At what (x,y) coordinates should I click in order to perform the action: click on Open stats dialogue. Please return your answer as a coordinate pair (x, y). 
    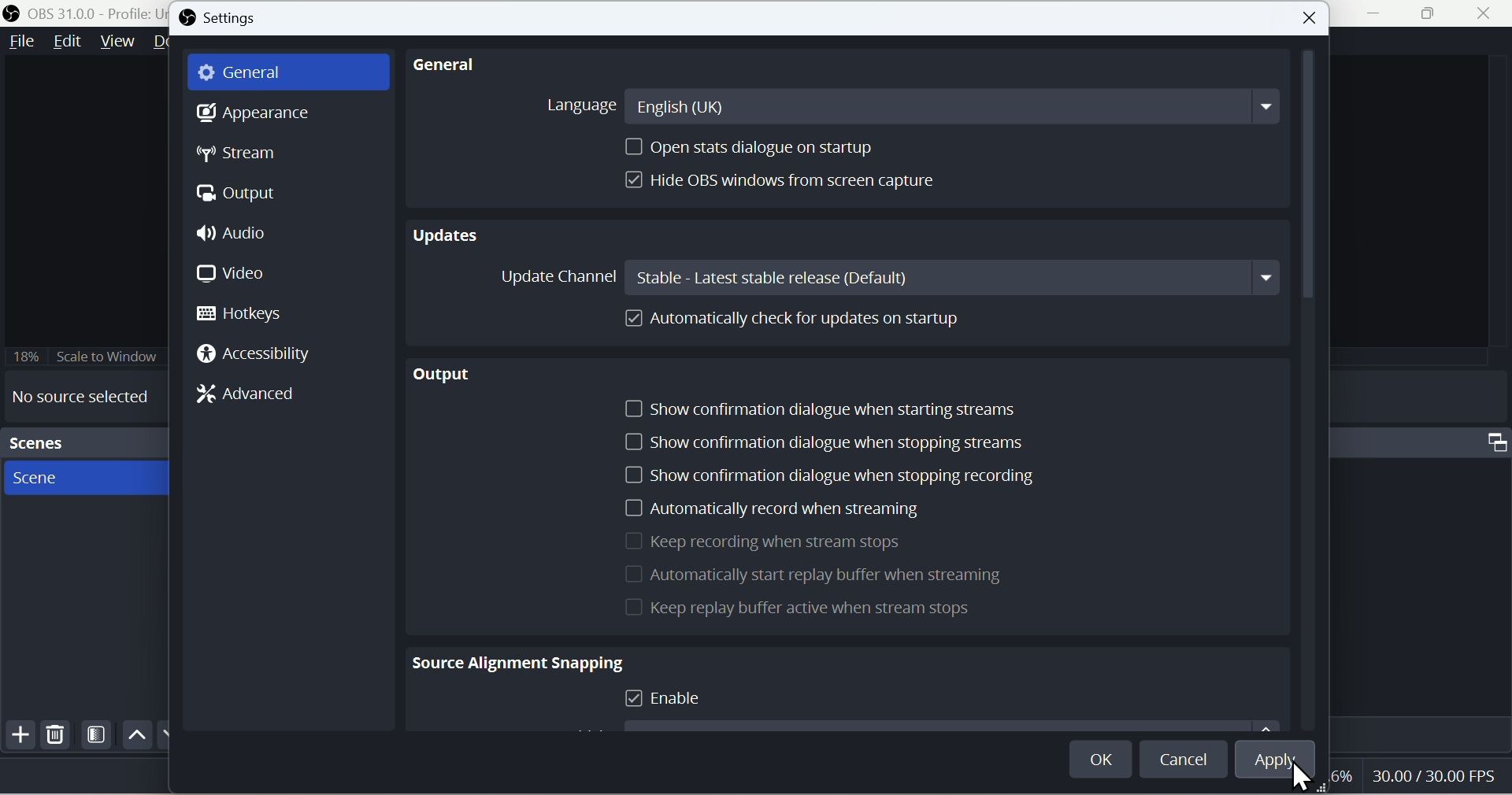
    Looking at the image, I should click on (749, 149).